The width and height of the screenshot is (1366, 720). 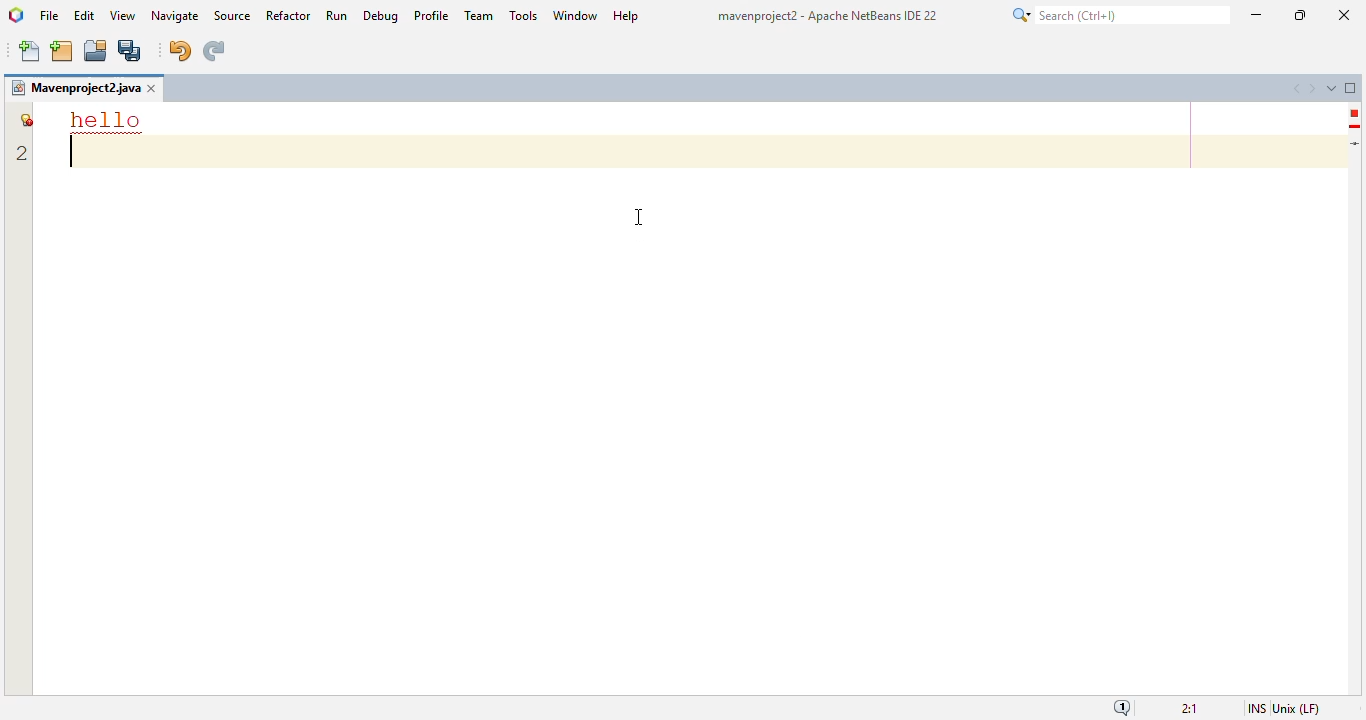 What do you see at coordinates (1354, 113) in the screenshot?
I see `error` at bounding box center [1354, 113].